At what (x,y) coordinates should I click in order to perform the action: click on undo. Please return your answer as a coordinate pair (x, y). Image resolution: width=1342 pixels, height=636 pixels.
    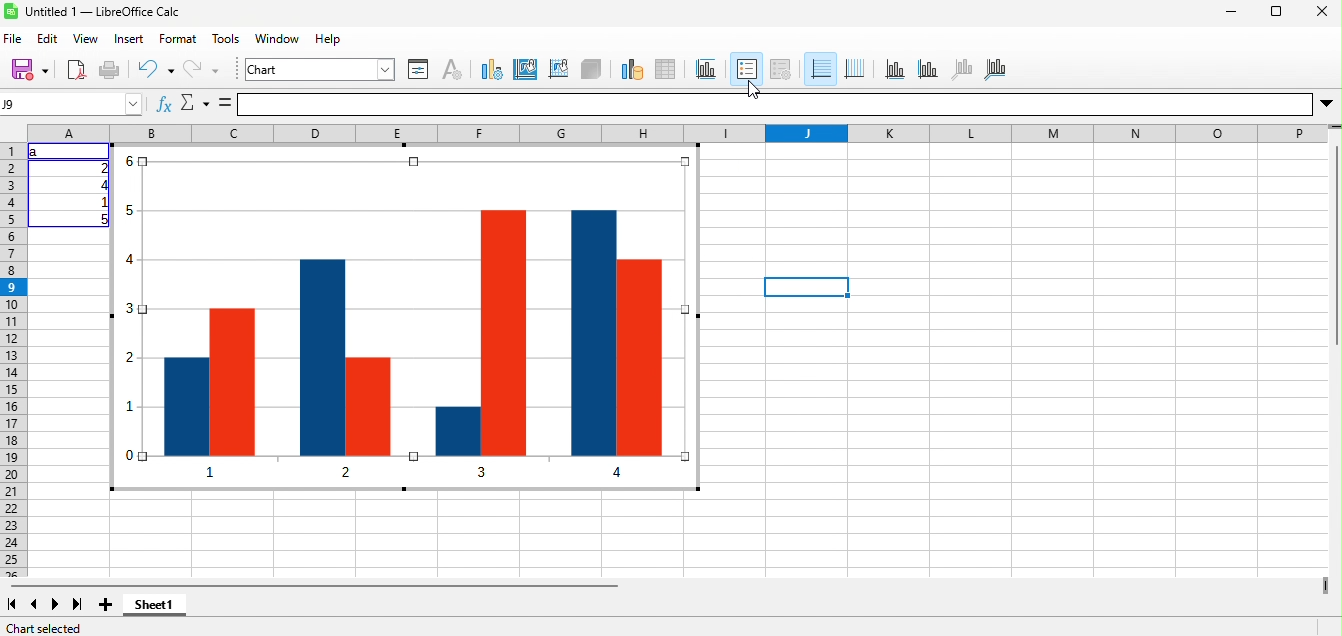
    Looking at the image, I should click on (155, 71).